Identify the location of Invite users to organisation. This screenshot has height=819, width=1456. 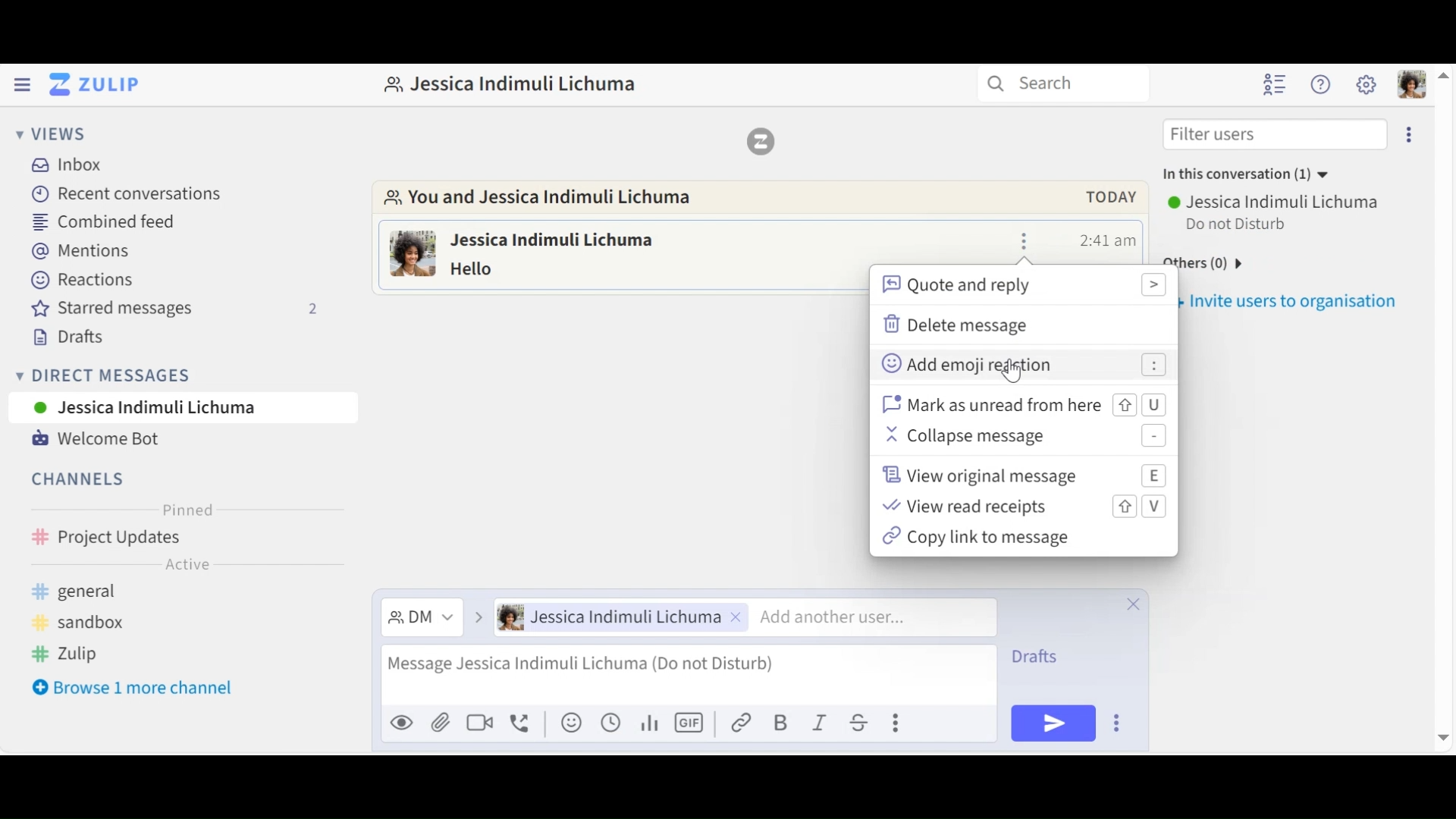
(1291, 298).